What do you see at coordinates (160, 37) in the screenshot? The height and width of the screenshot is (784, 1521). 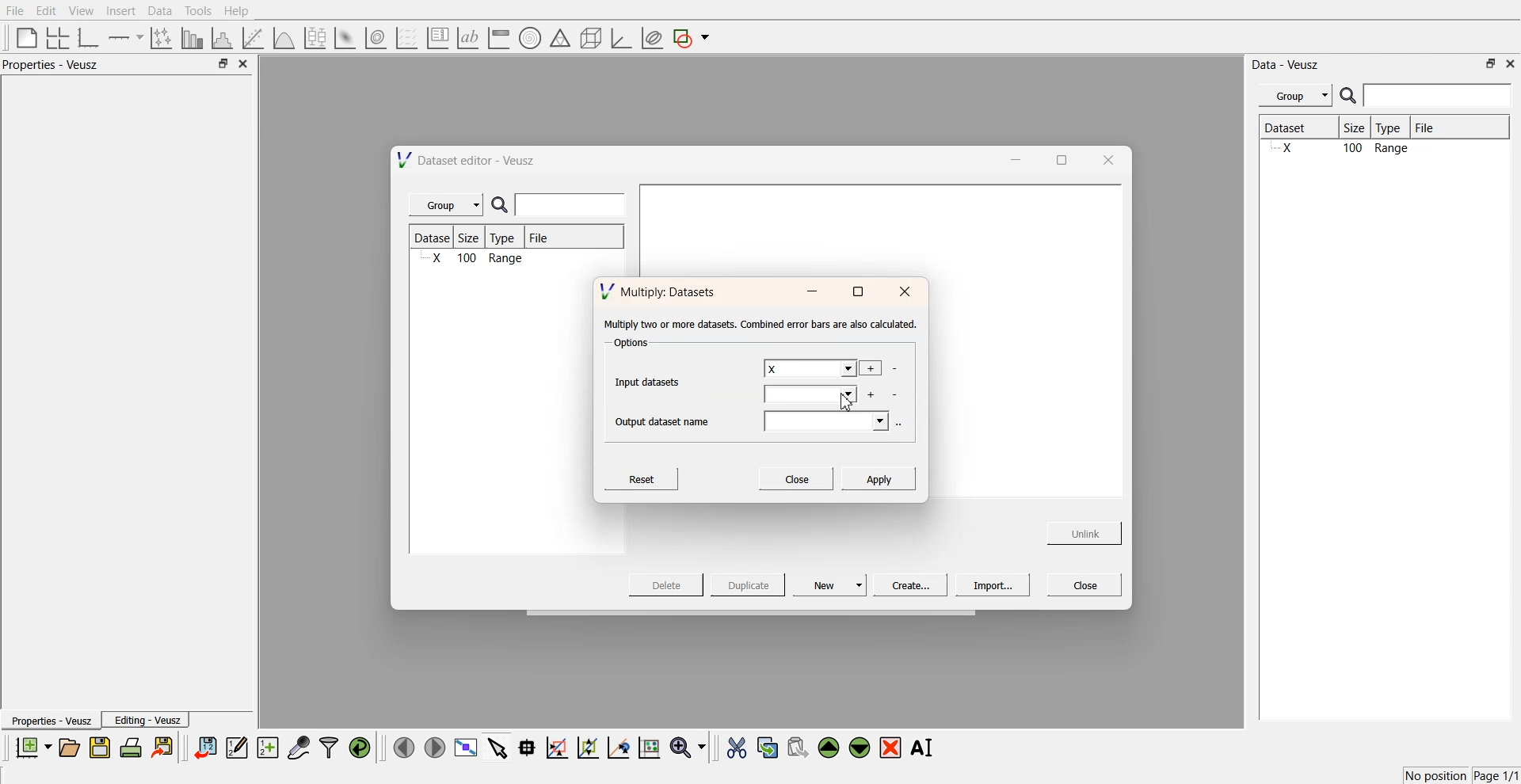 I see `plot points with non-orthogonal axes` at bounding box center [160, 37].